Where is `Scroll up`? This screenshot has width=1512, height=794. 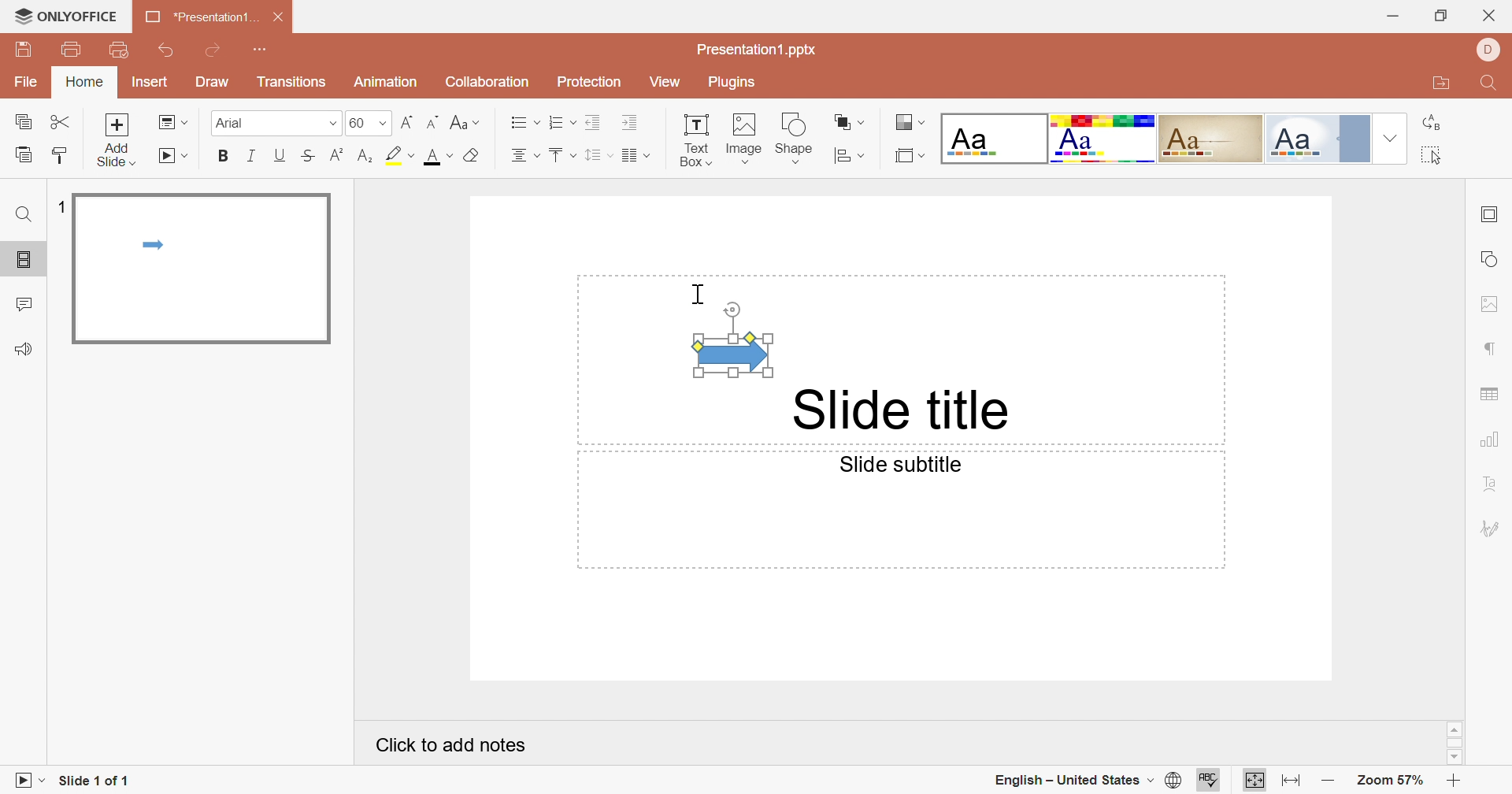 Scroll up is located at coordinates (1455, 729).